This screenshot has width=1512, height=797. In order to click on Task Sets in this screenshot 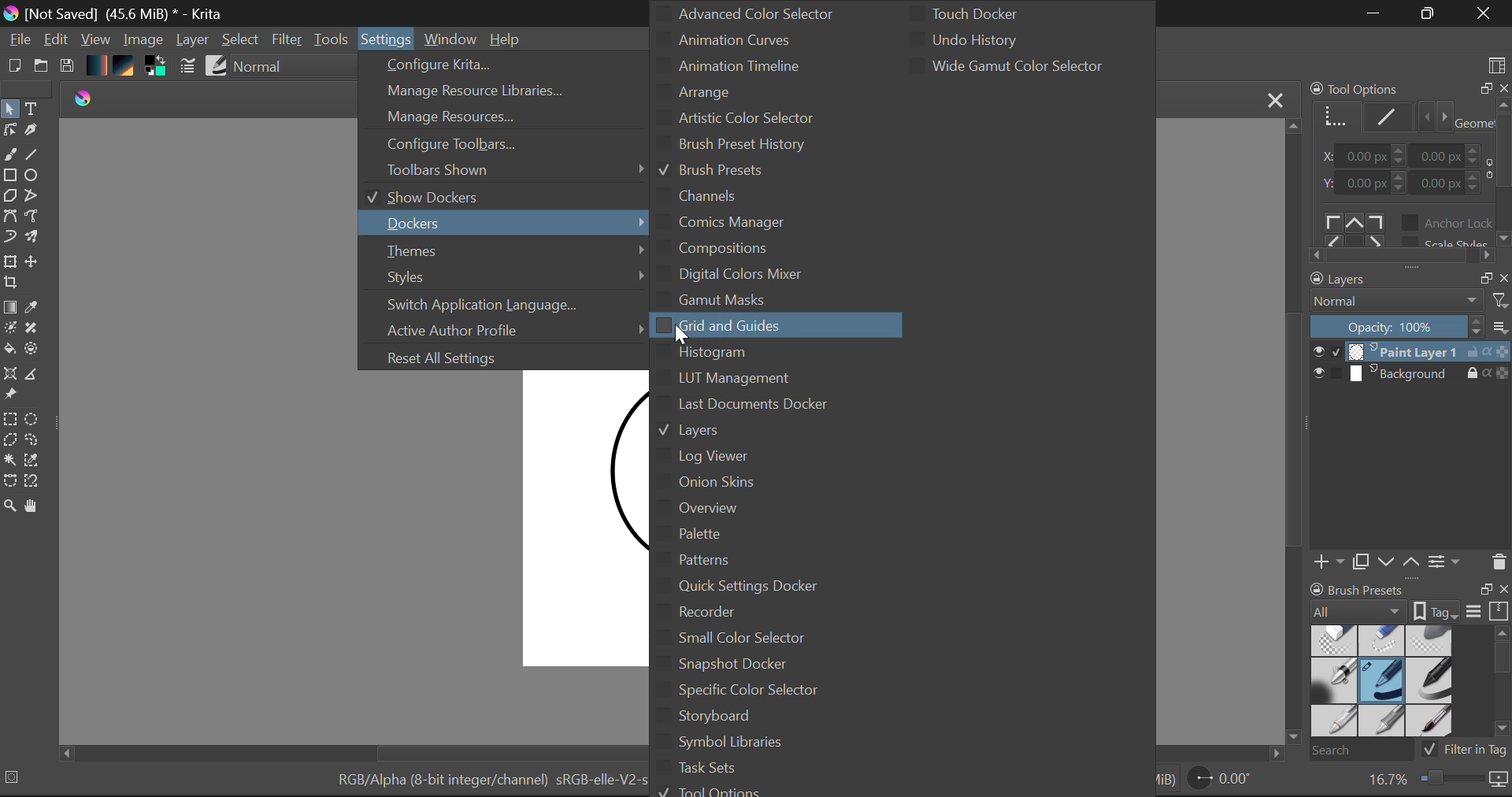, I will do `click(764, 770)`.